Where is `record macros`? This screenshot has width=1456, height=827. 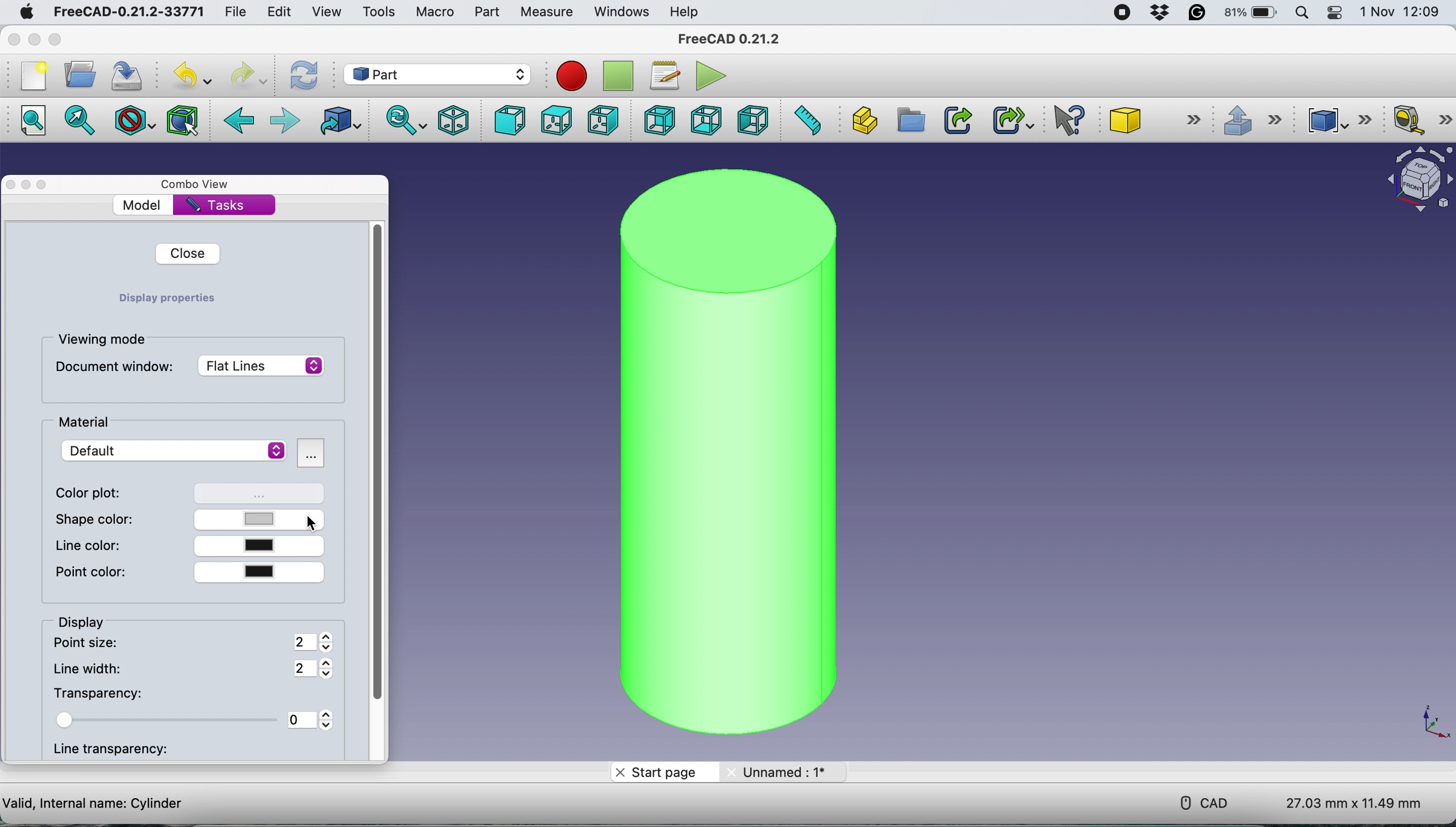
record macros is located at coordinates (570, 76).